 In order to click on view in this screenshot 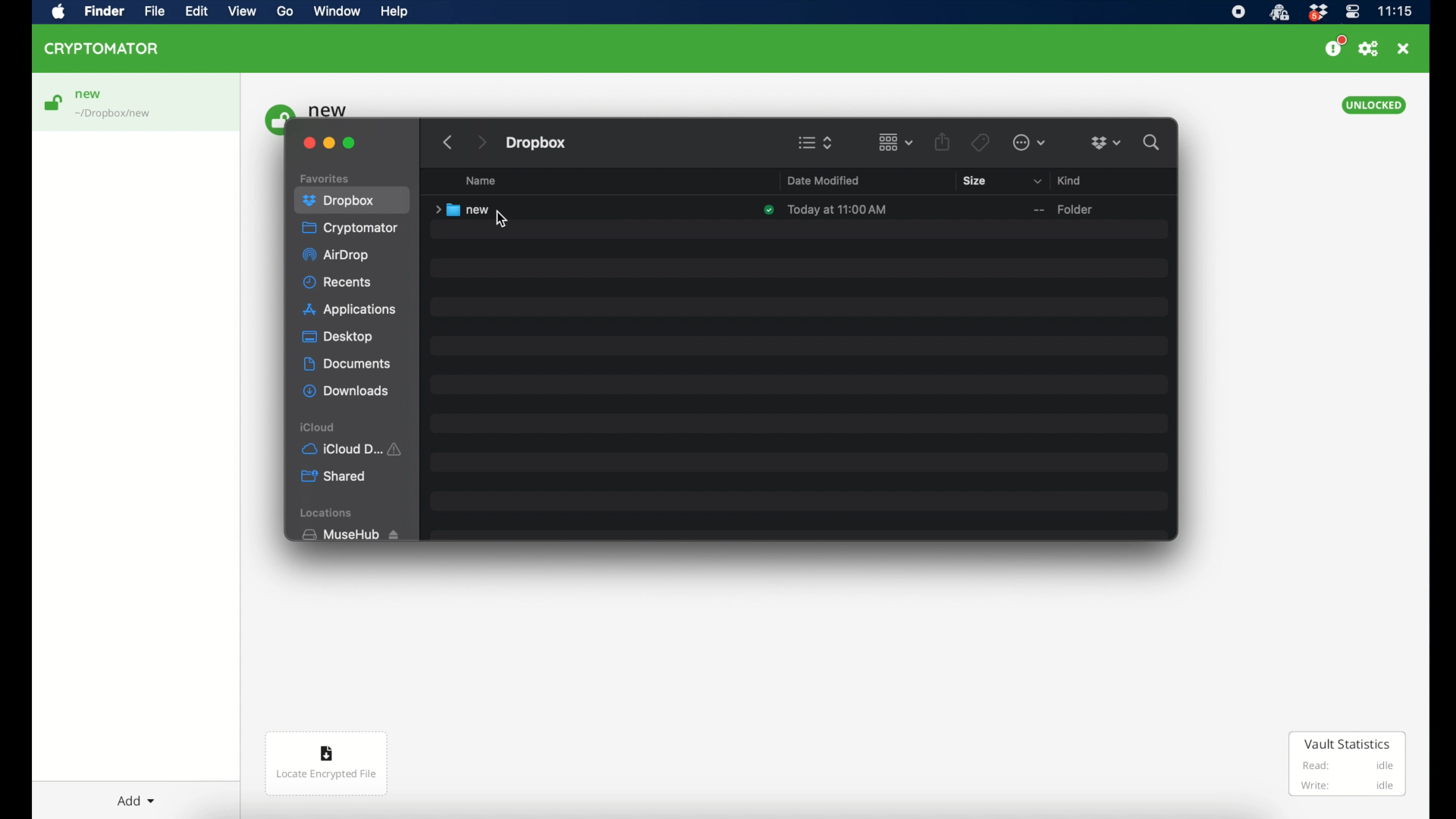, I will do `click(242, 11)`.